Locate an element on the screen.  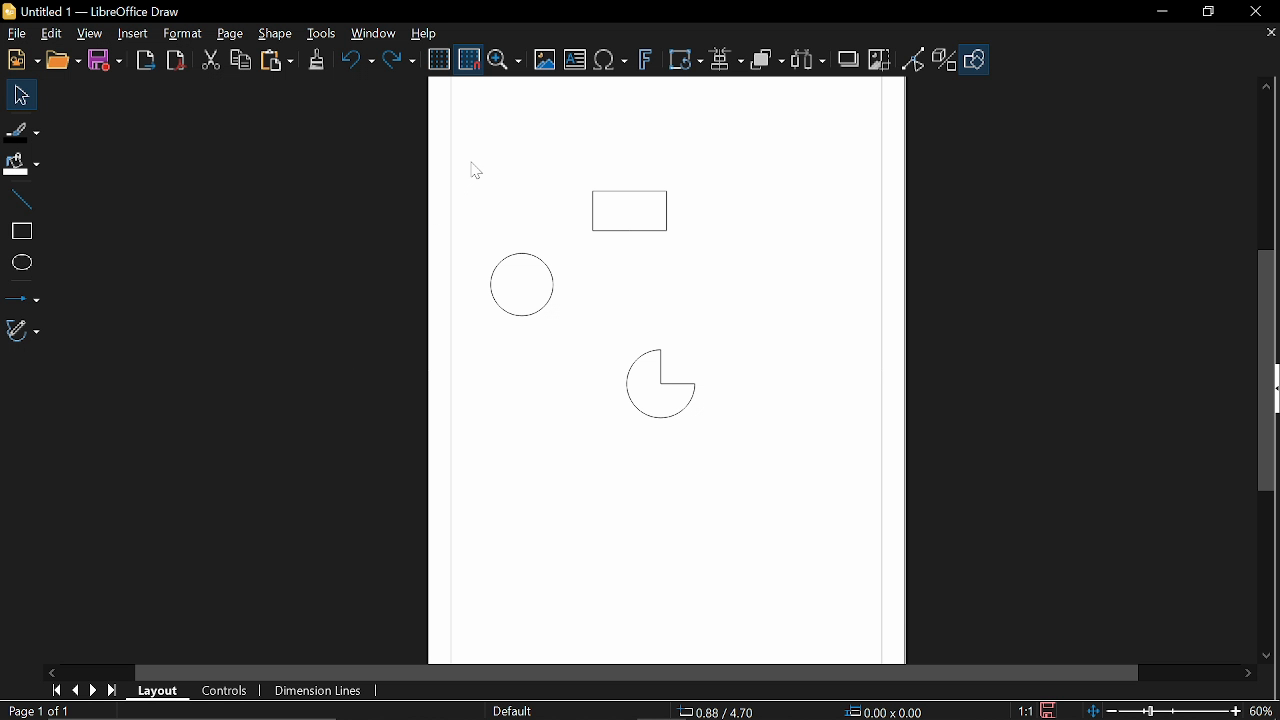
Libreoffice Logo is located at coordinates (9, 10).